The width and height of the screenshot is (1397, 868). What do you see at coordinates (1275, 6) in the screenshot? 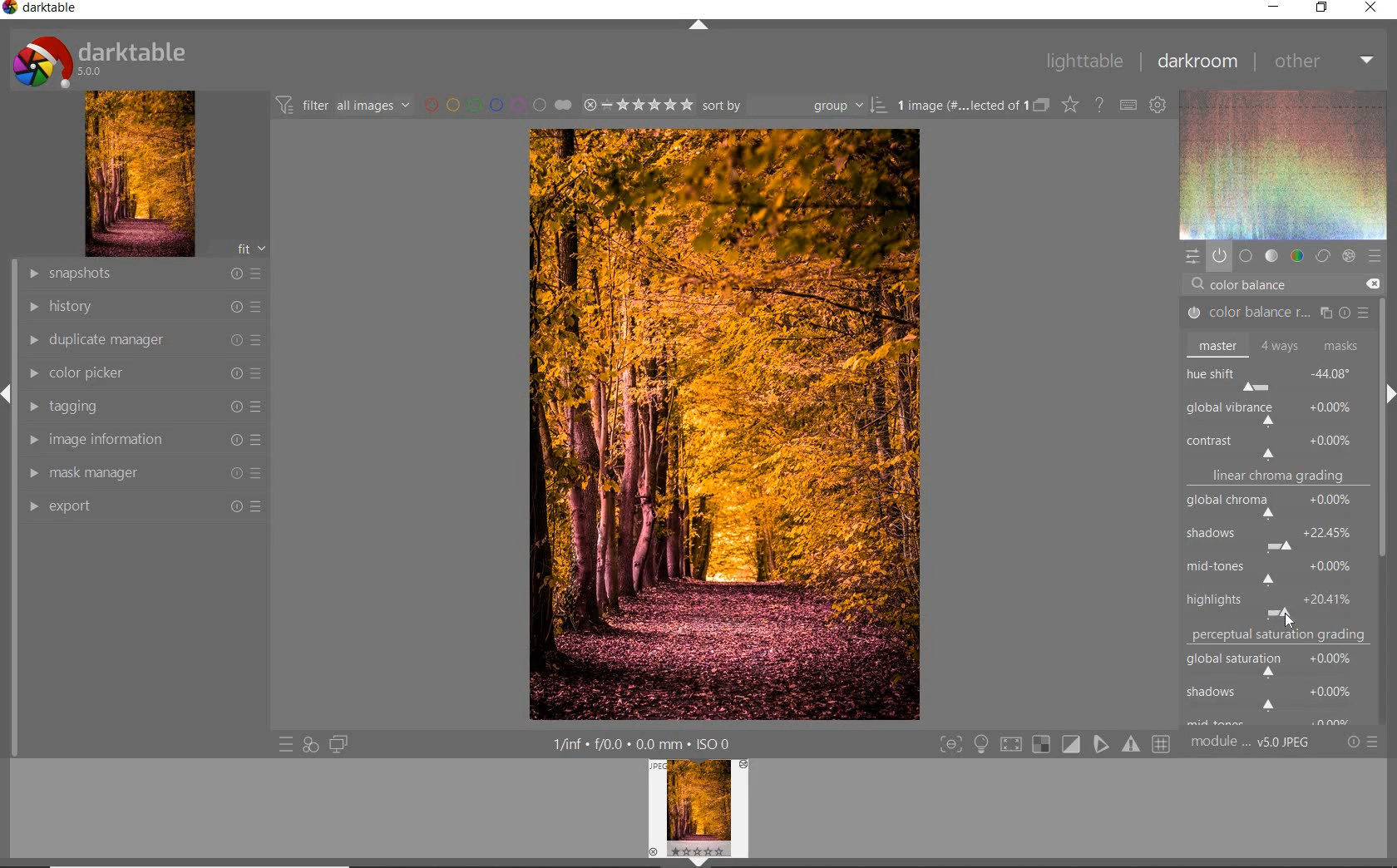
I see `minimize` at bounding box center [1275, 6].